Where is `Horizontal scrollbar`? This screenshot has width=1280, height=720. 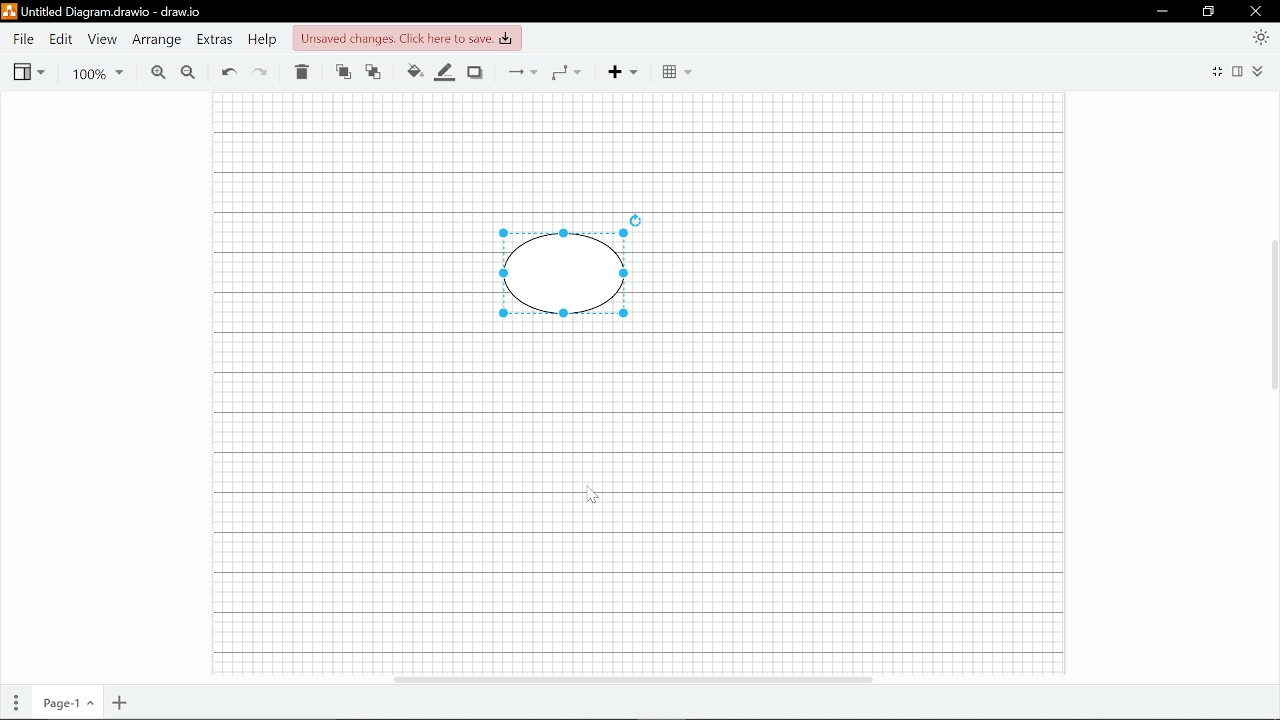 Horizontal scrollbar is located at coordinates (631, 676).